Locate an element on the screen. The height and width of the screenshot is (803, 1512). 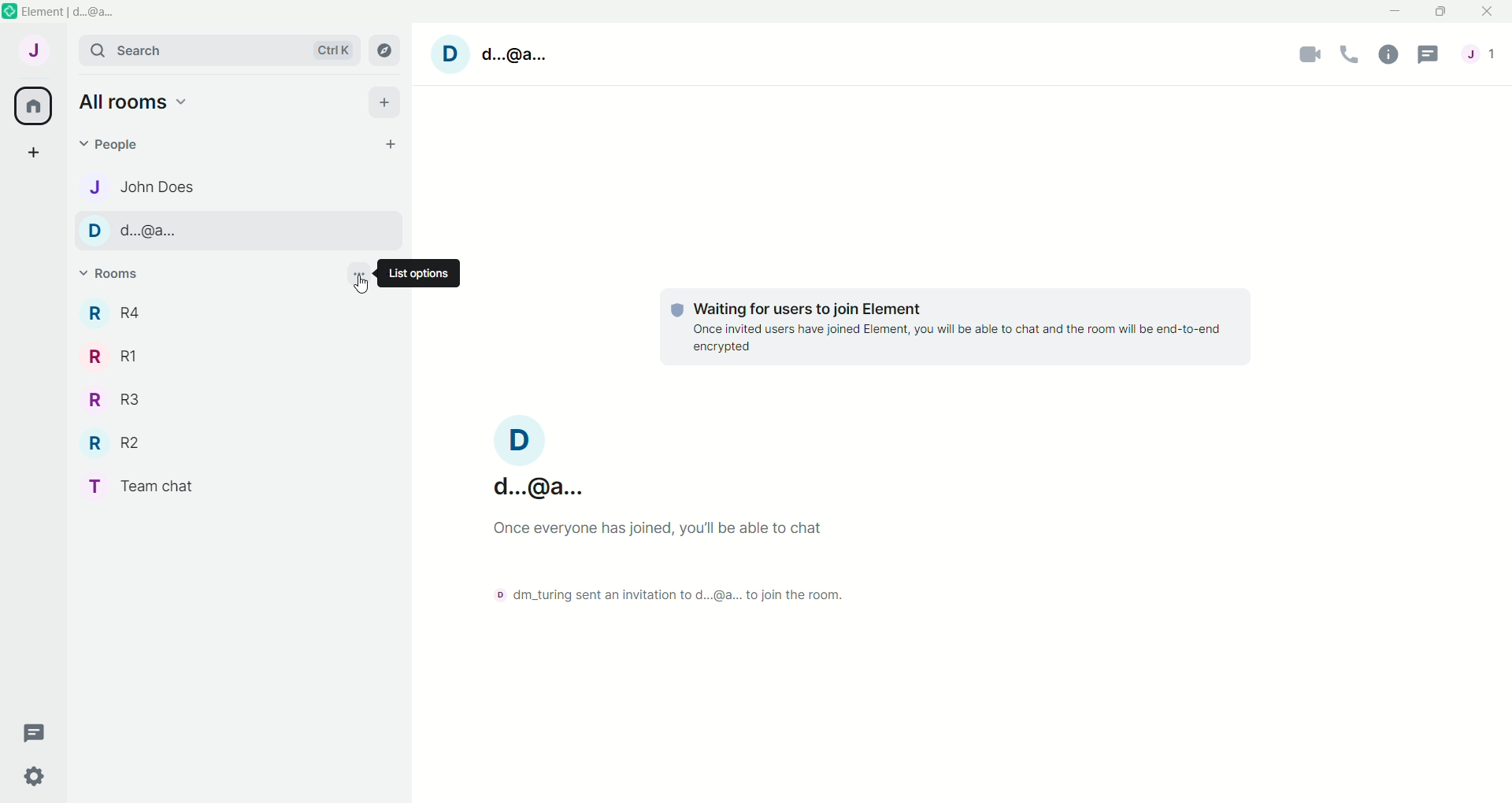
D d...@a... is located at coordinates (136, 231).